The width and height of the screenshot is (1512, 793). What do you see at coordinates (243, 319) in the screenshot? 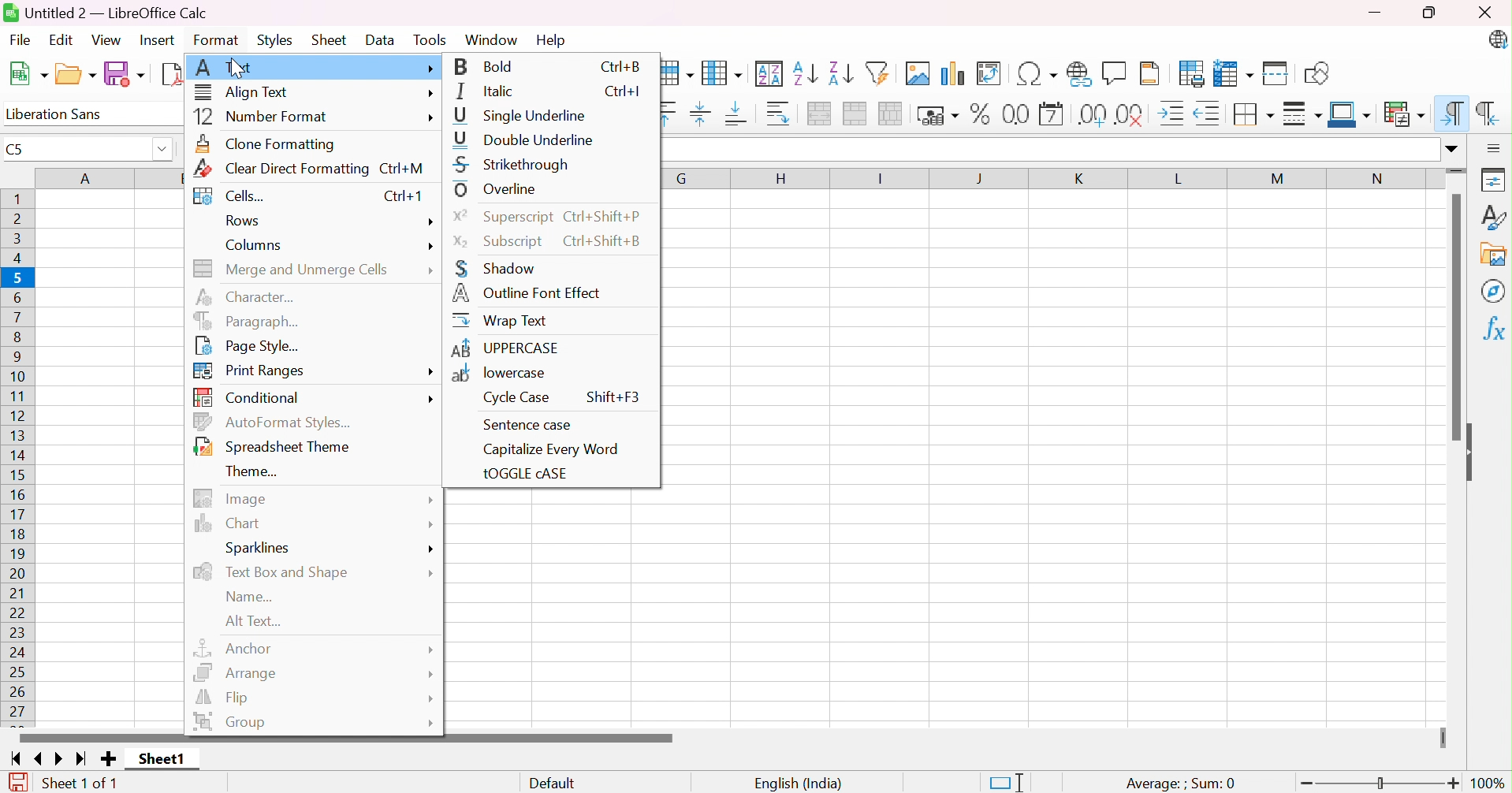
I see `Paragraph...` at bounding box center [243, 319].